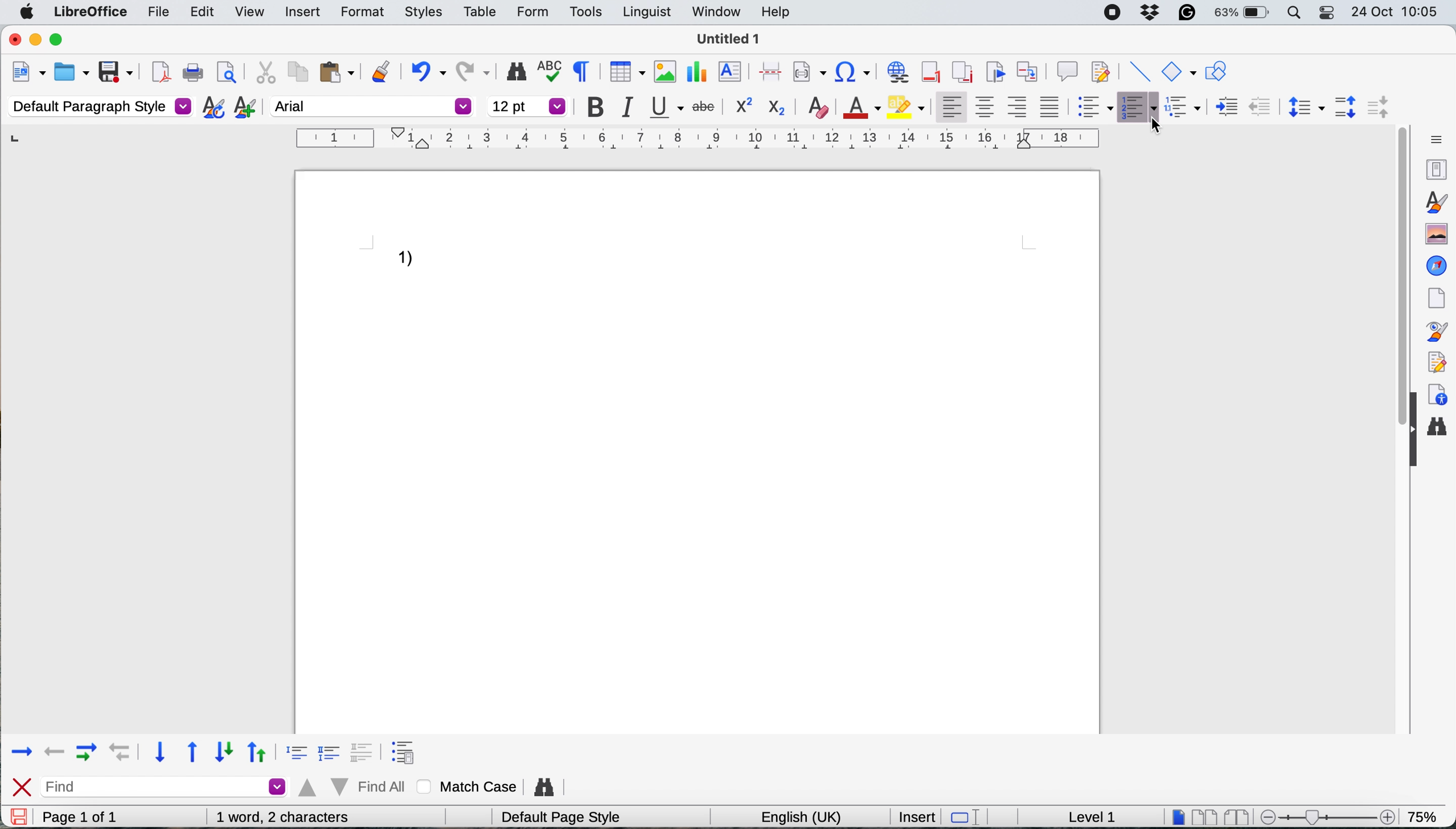 This screenshot has height=829, width=1456. Describe the element at coordinates (27, 74) in the screenshot. I see `new` at that location.